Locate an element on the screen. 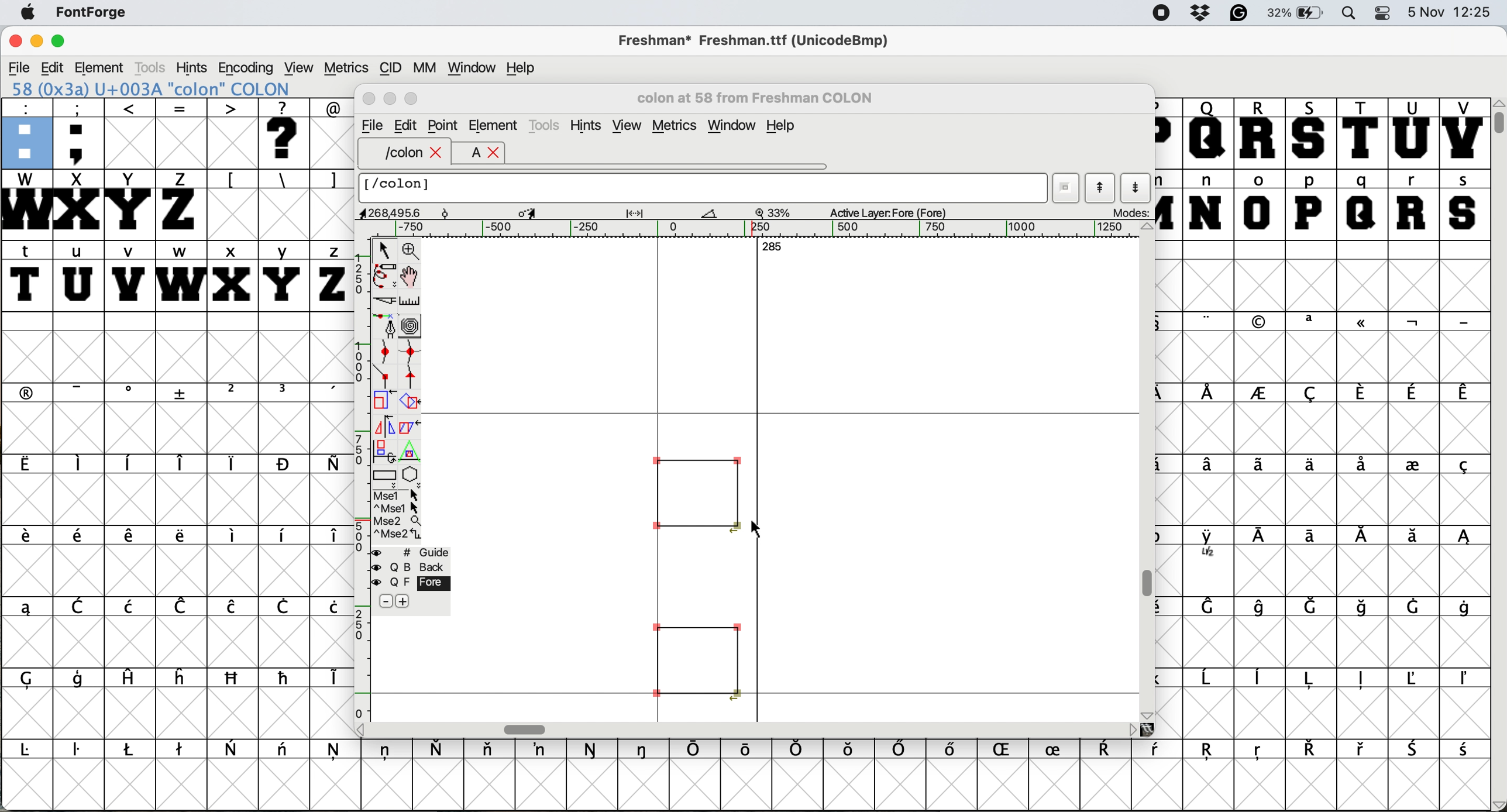 The image size is (1507, 812). symbol is located at coordinates (284, 608).